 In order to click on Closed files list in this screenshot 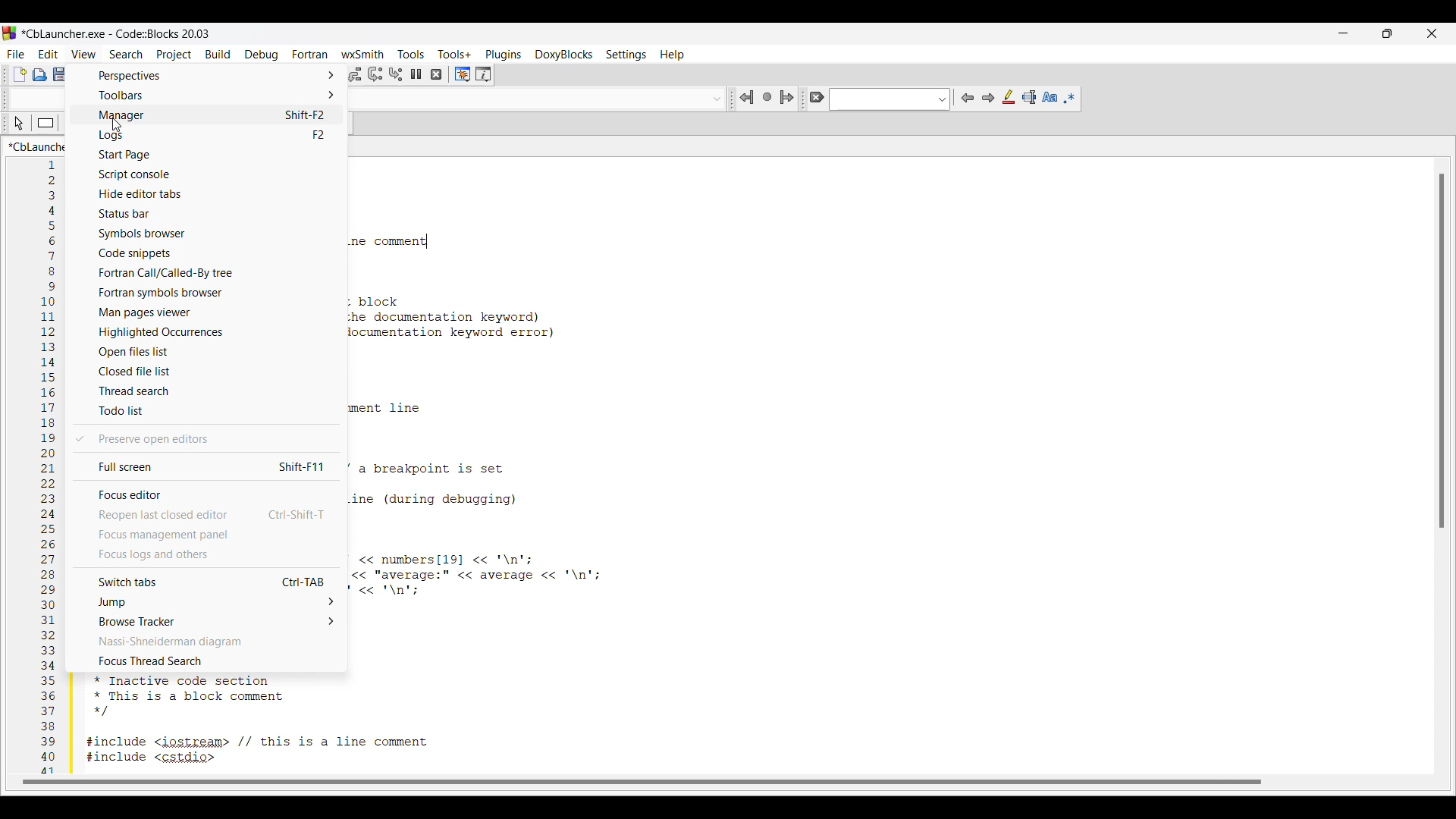, I will do `click(208, 372)`.